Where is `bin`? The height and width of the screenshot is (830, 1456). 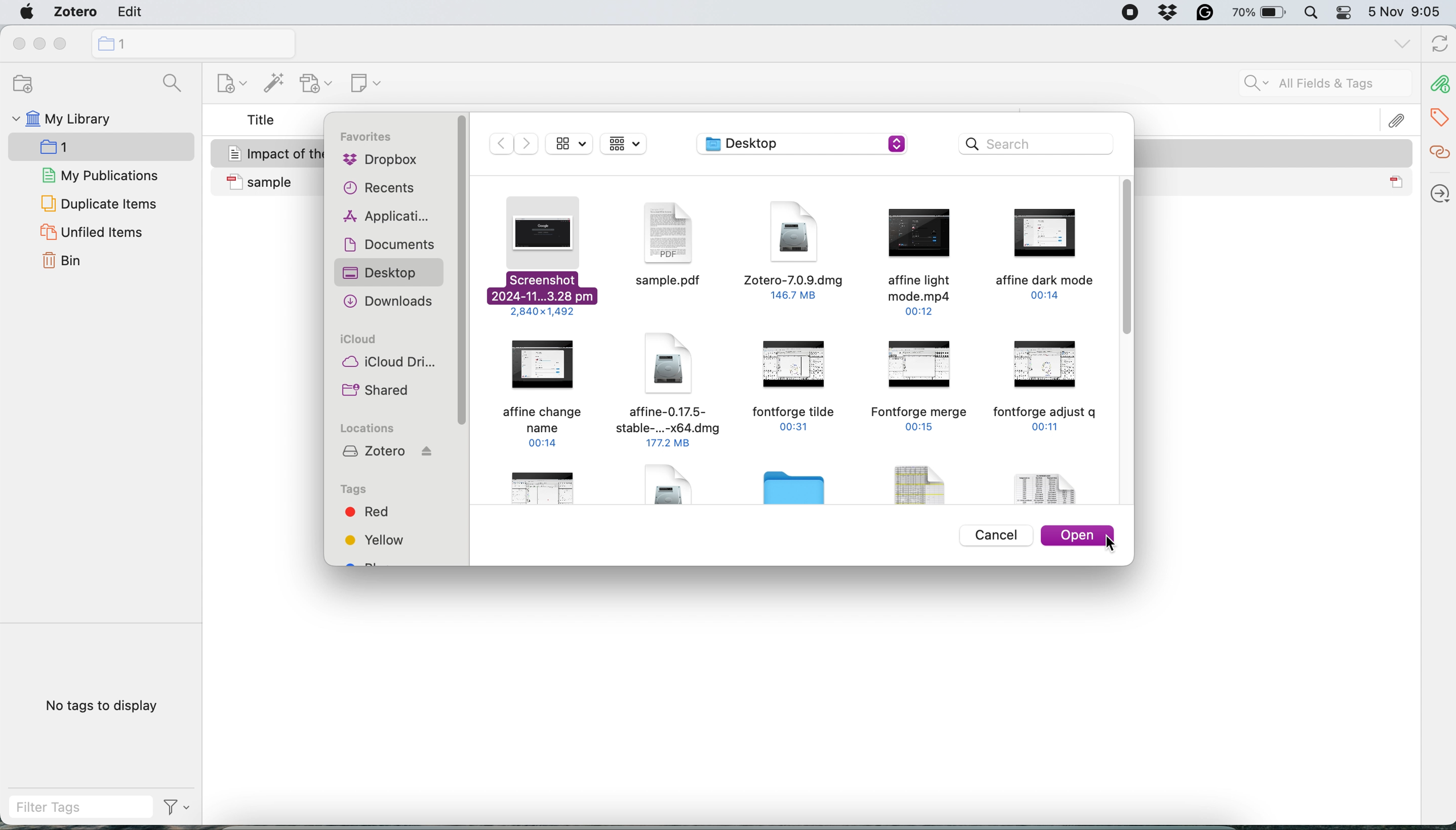 bin is located at coordinates (67, 262).